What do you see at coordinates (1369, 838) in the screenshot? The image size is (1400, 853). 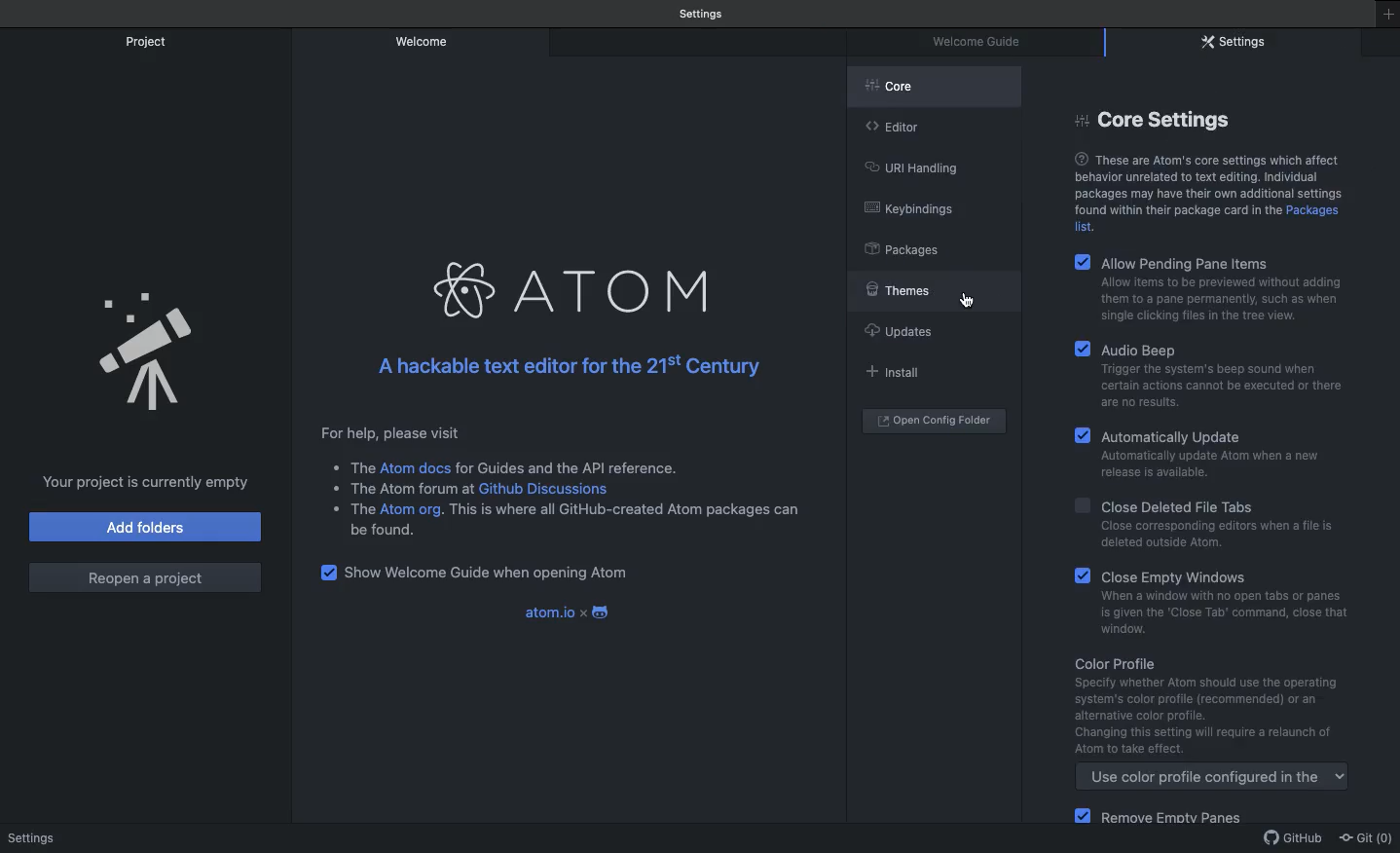 I see `Git` at bounding box center [1369, 838].